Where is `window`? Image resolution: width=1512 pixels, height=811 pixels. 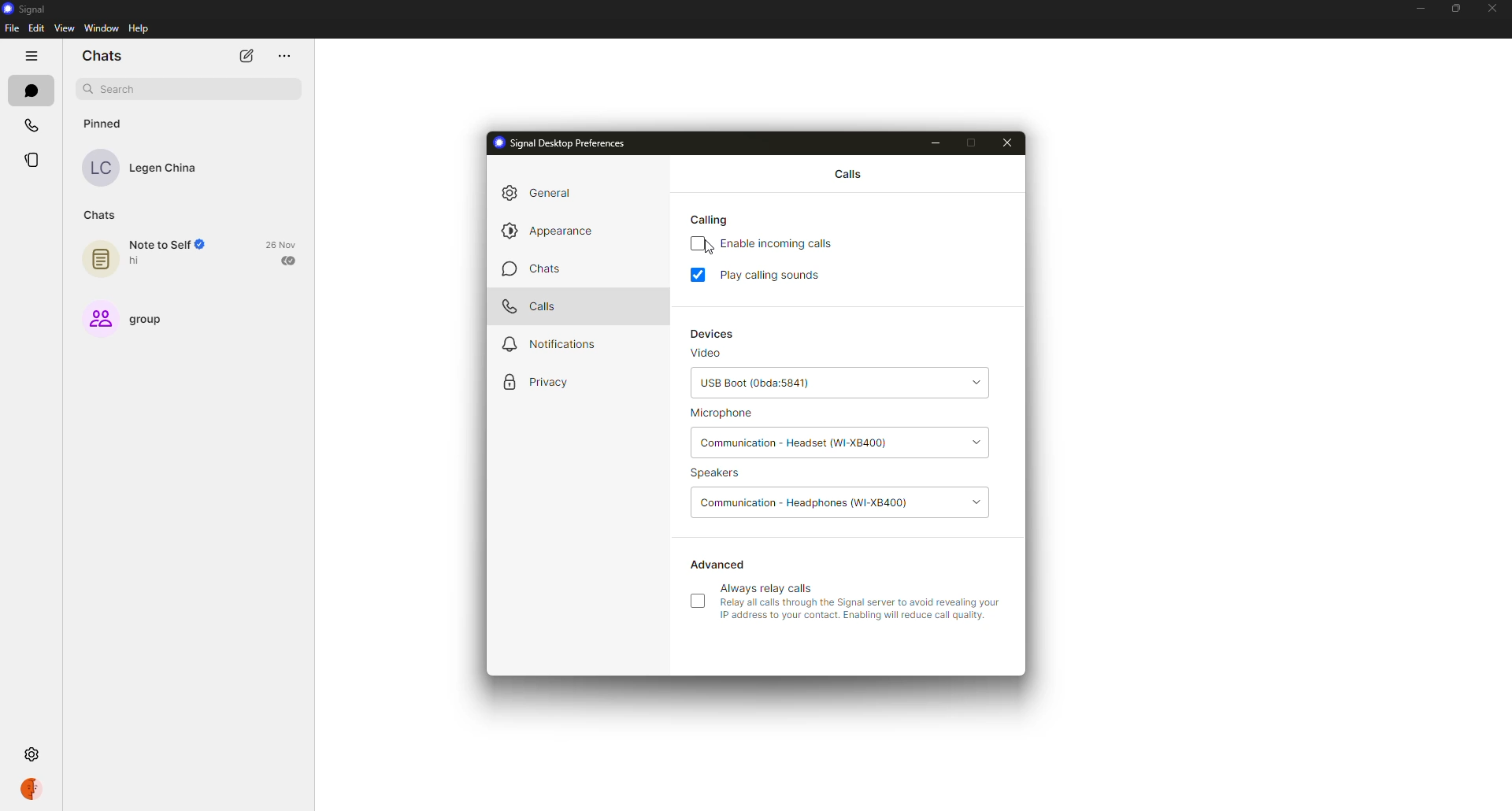
window is located at coordinates (100, 28).